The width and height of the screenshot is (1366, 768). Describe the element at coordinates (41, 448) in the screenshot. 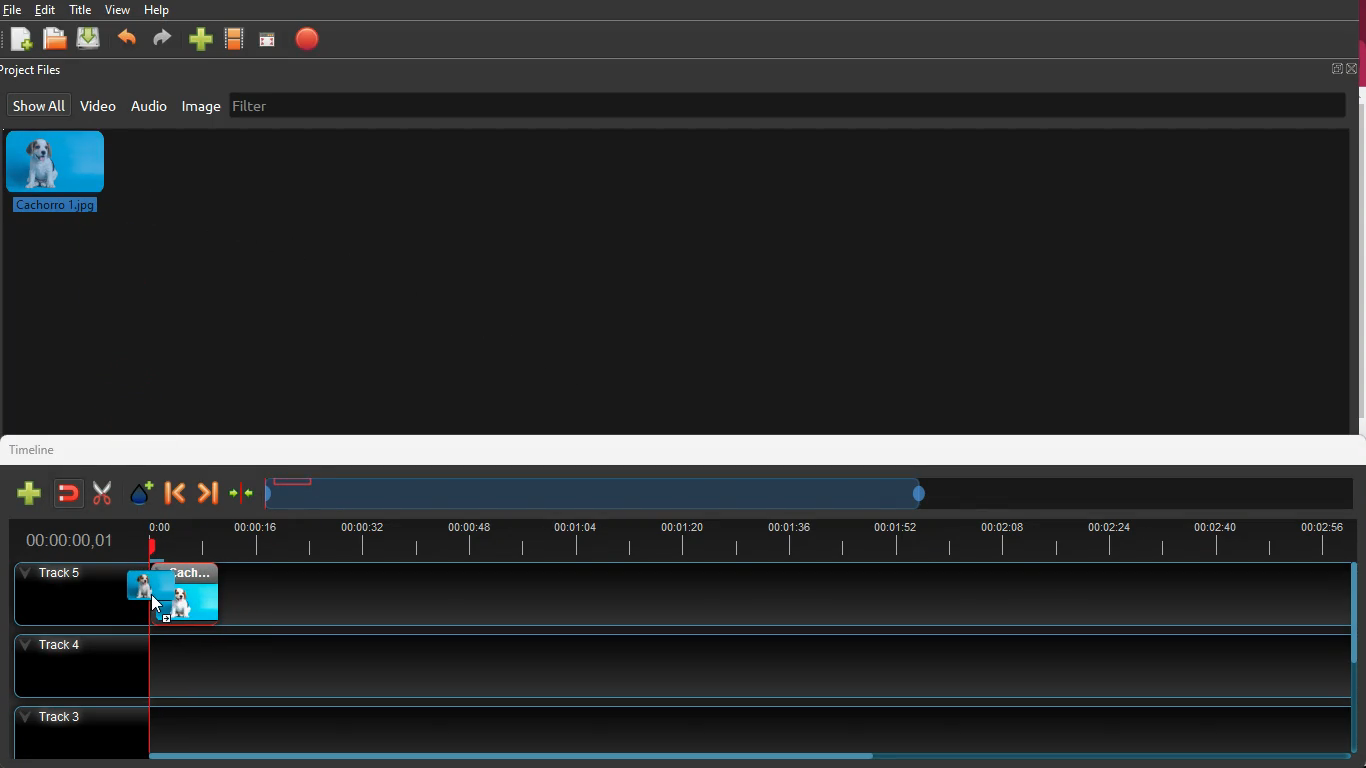

I see `timeline` at that location.